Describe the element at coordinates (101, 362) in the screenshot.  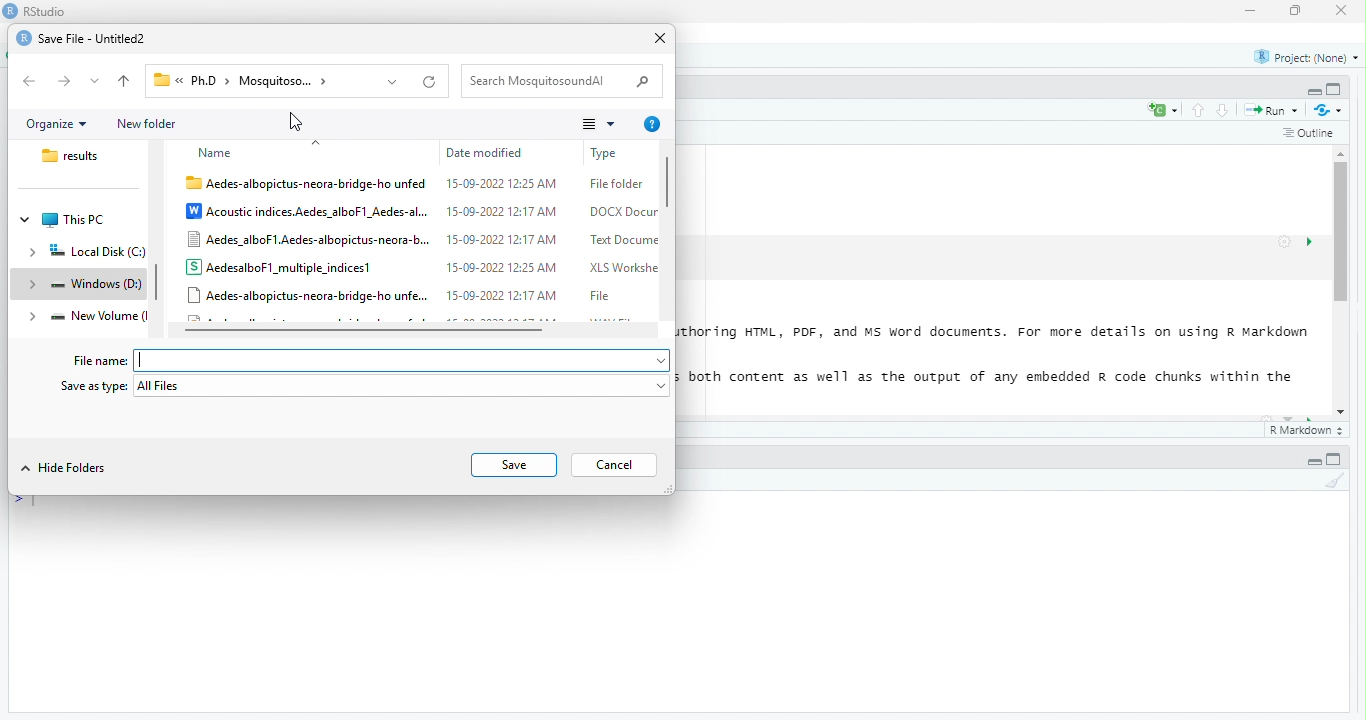
I see `File name:` at that location.